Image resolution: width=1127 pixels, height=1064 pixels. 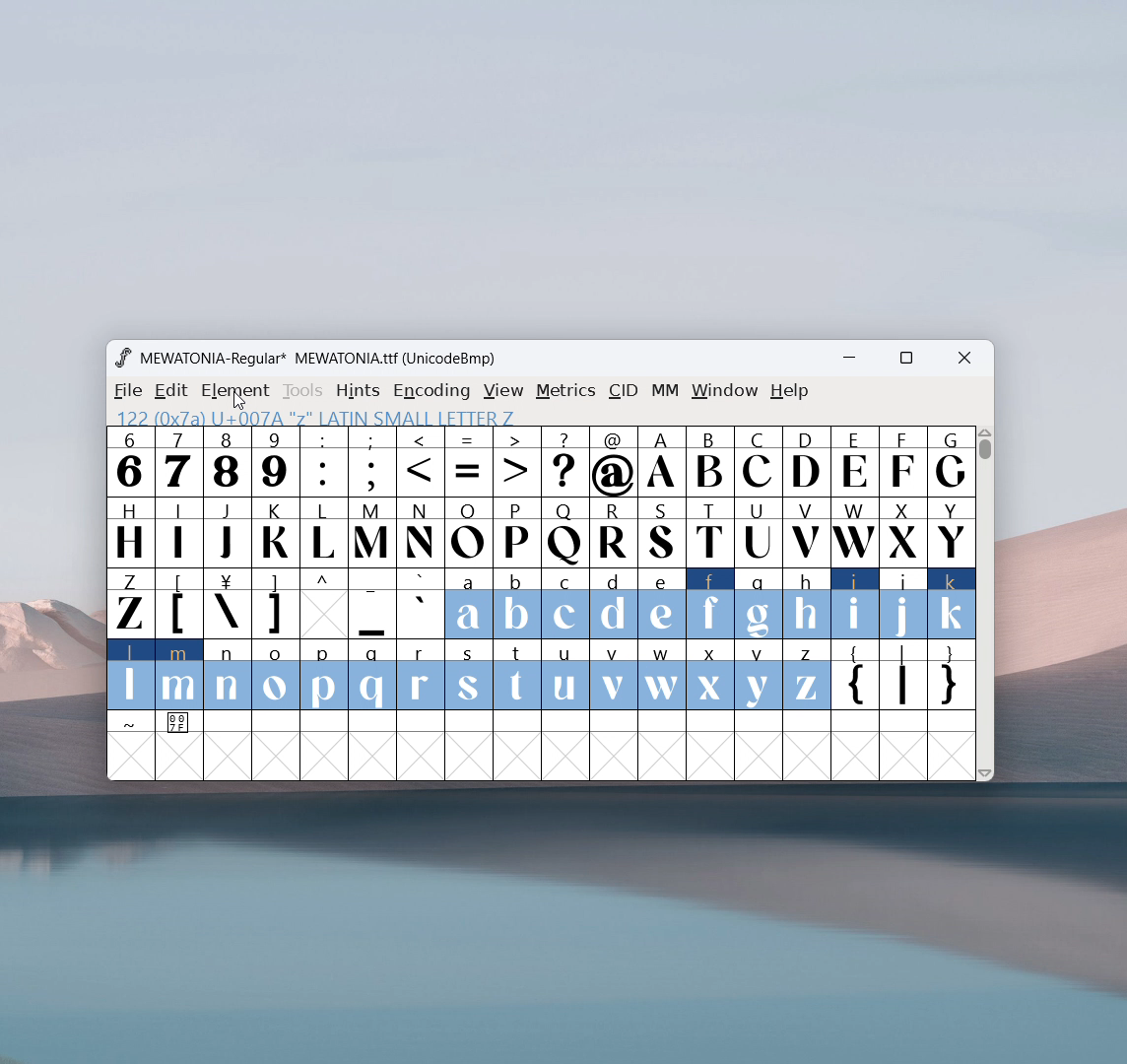 I want to click on cid, so click(x=623, y=391).